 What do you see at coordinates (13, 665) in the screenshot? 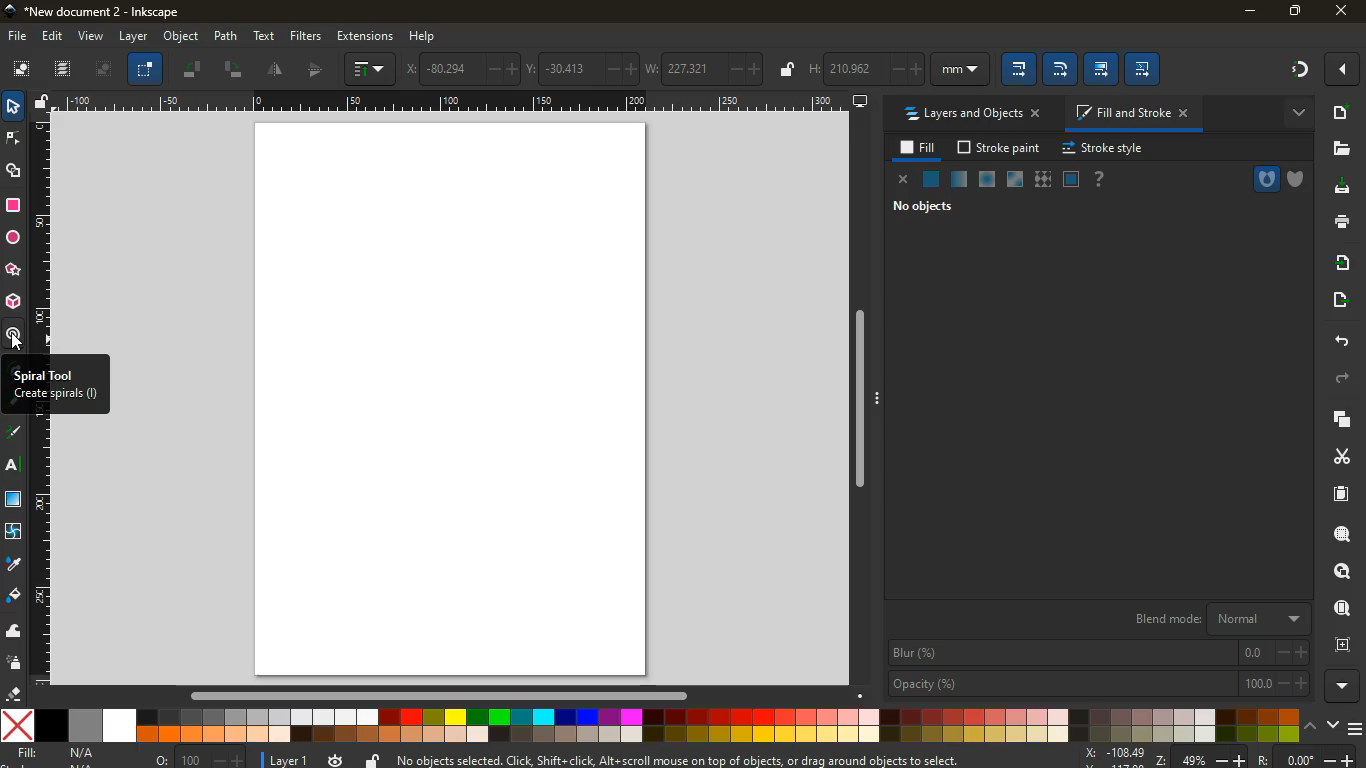
I see `spray` at bounding box center [13, 665].